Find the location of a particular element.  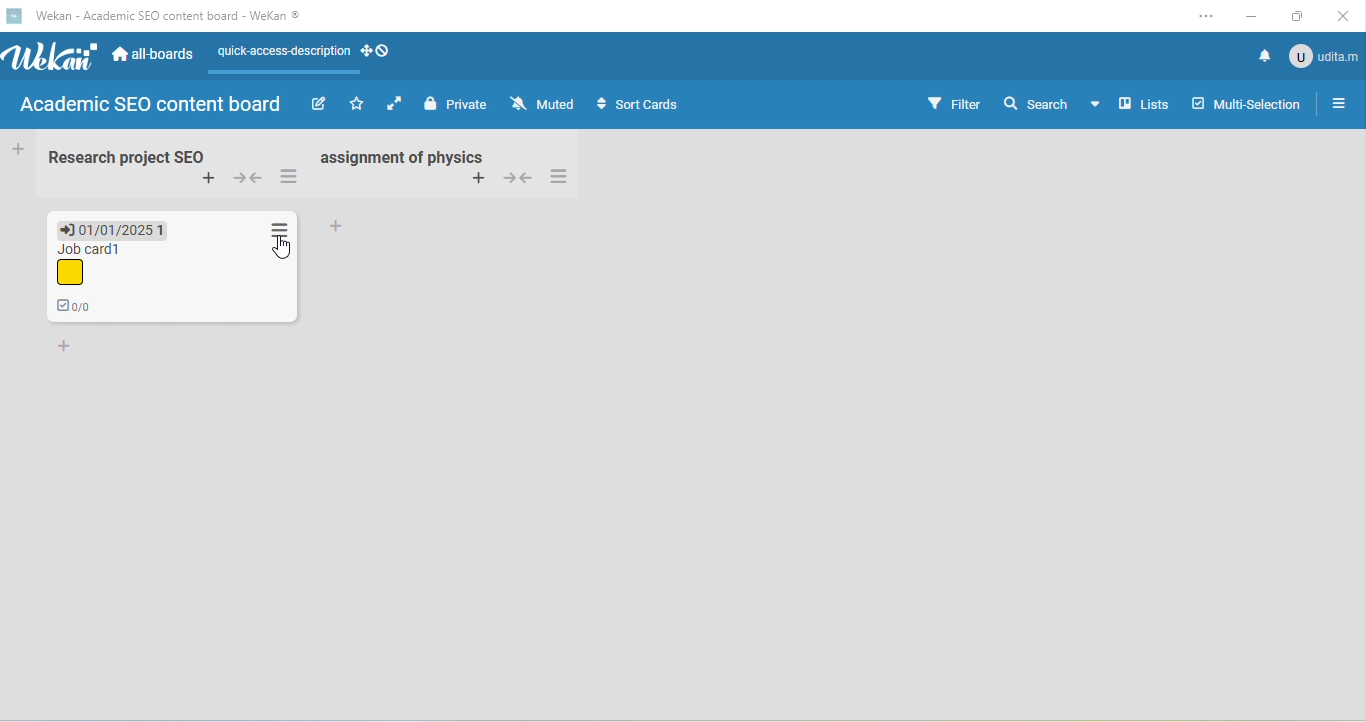

action is located at coordinates (279, 226).